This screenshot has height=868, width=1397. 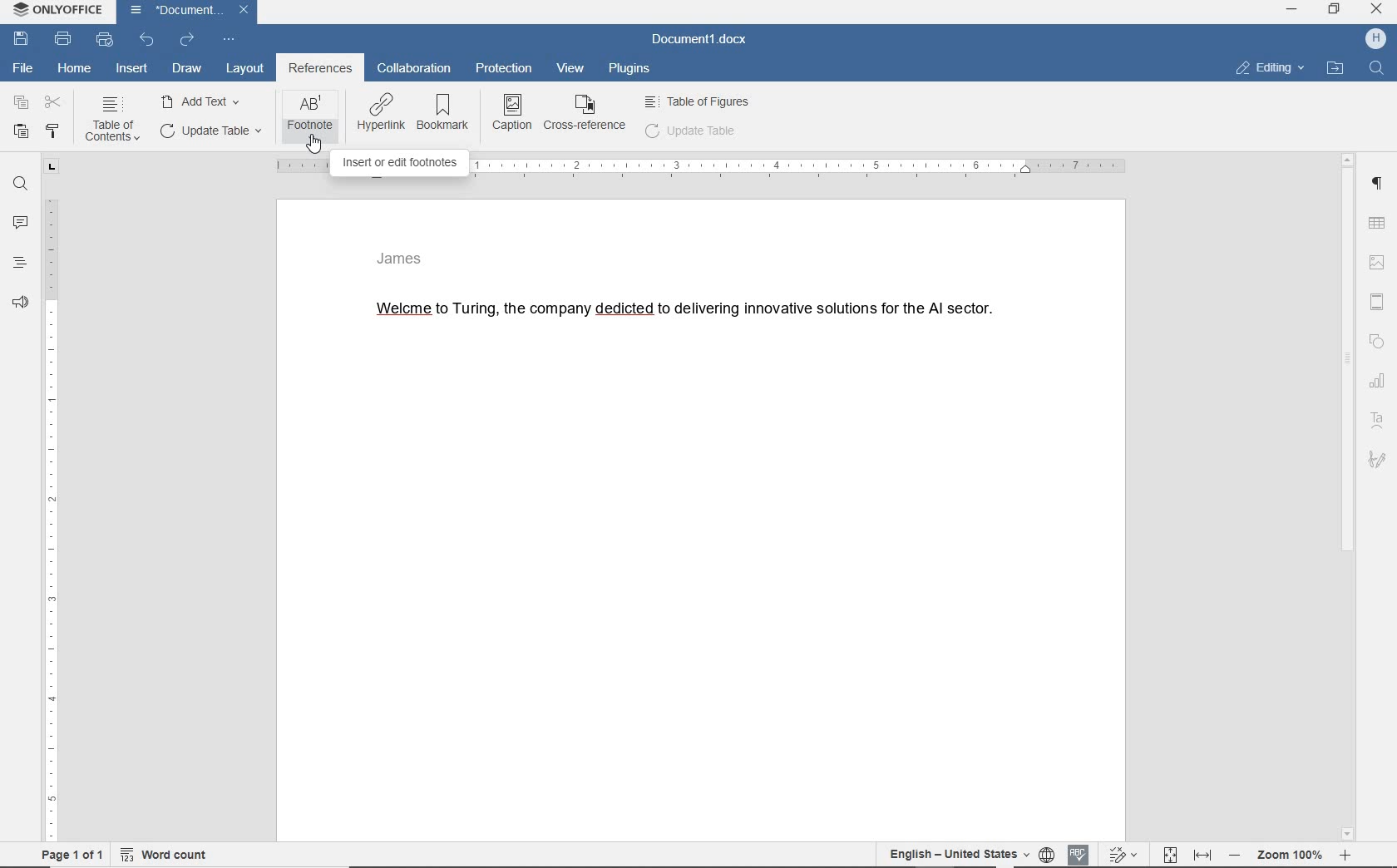 I want to click on protection, so click(x=506, y=70).